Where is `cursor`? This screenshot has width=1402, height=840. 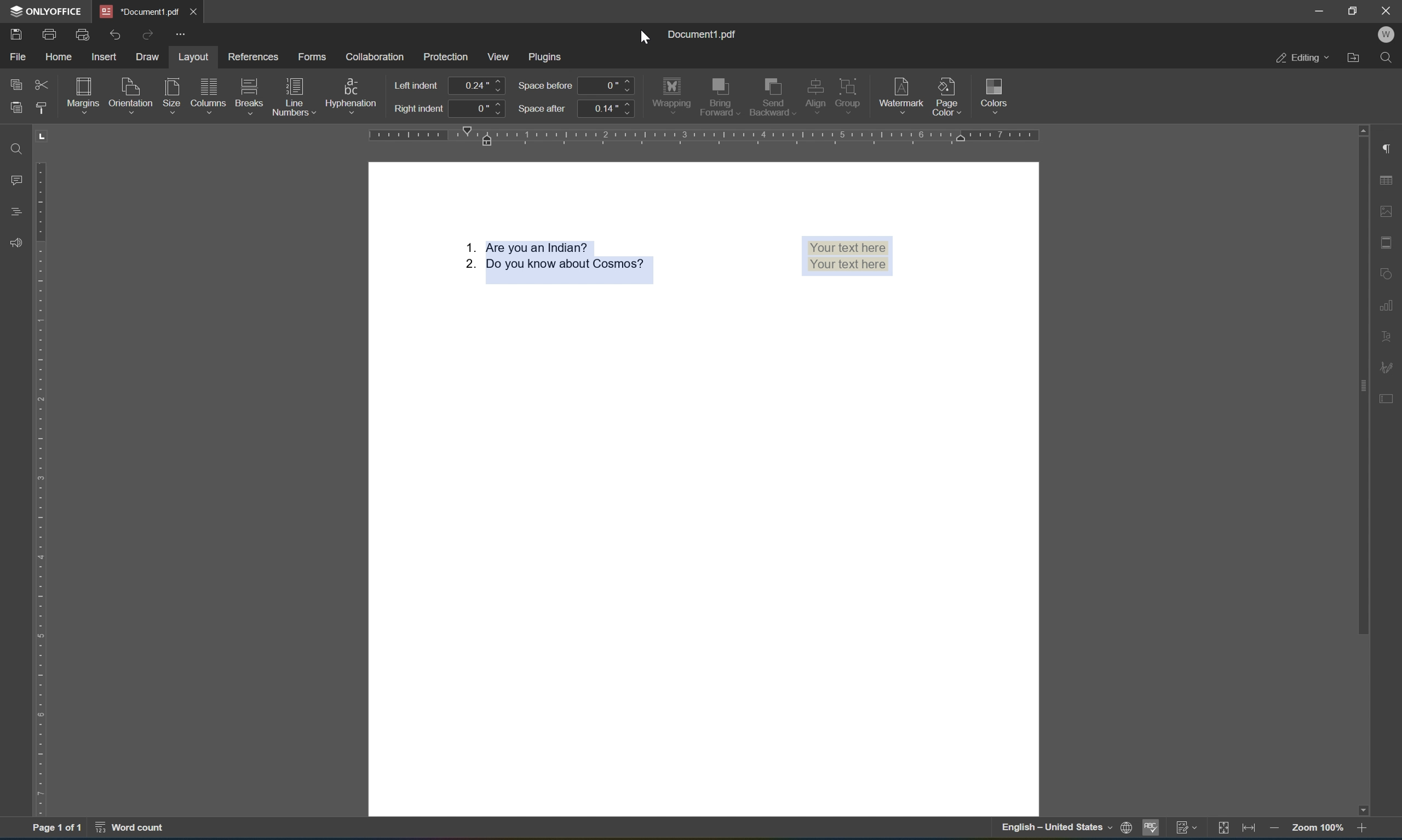
cursor is located at coordinates (647, 40).